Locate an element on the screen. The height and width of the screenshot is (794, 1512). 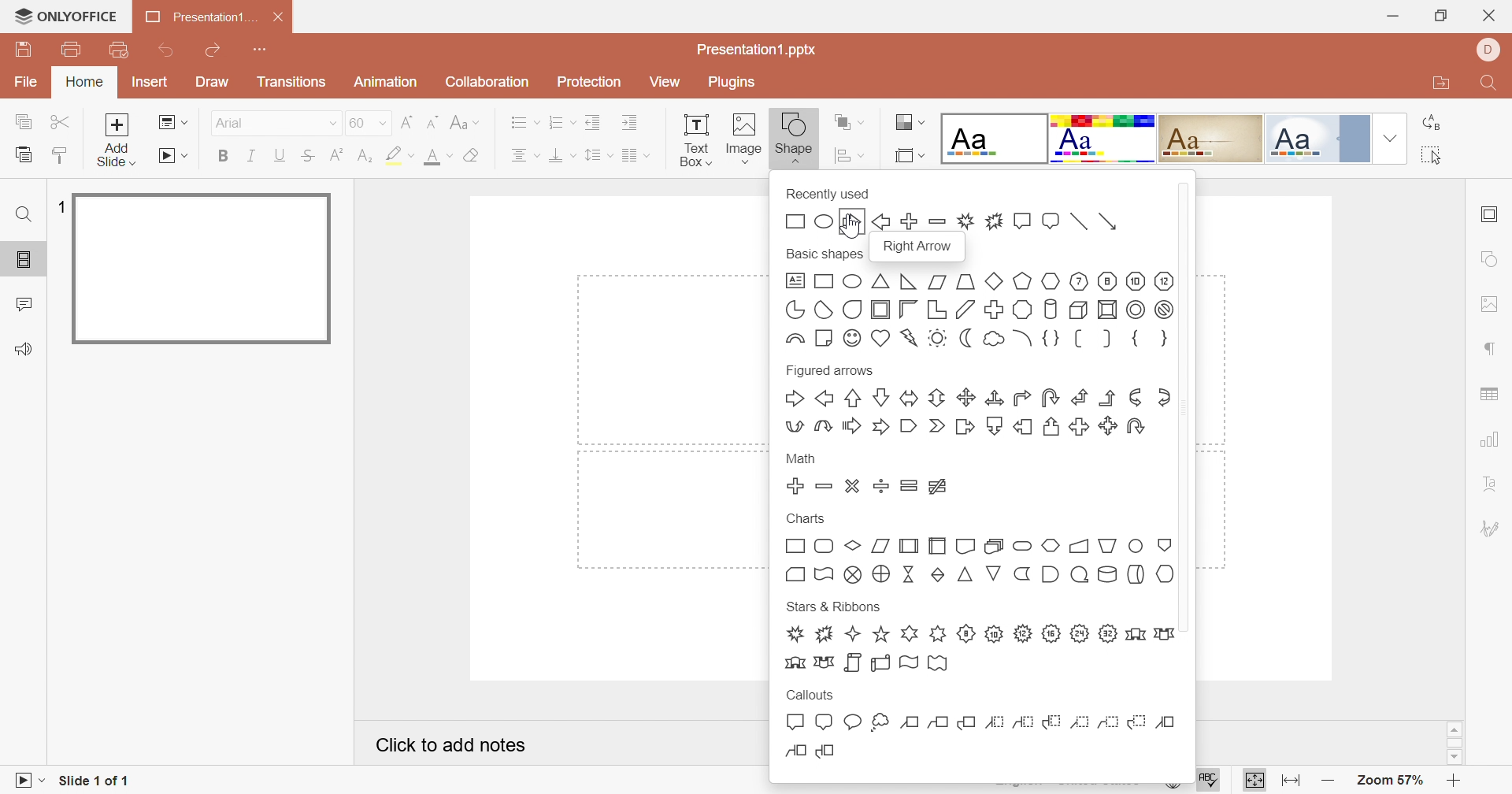
Italic is located at coordinates (250, 155).